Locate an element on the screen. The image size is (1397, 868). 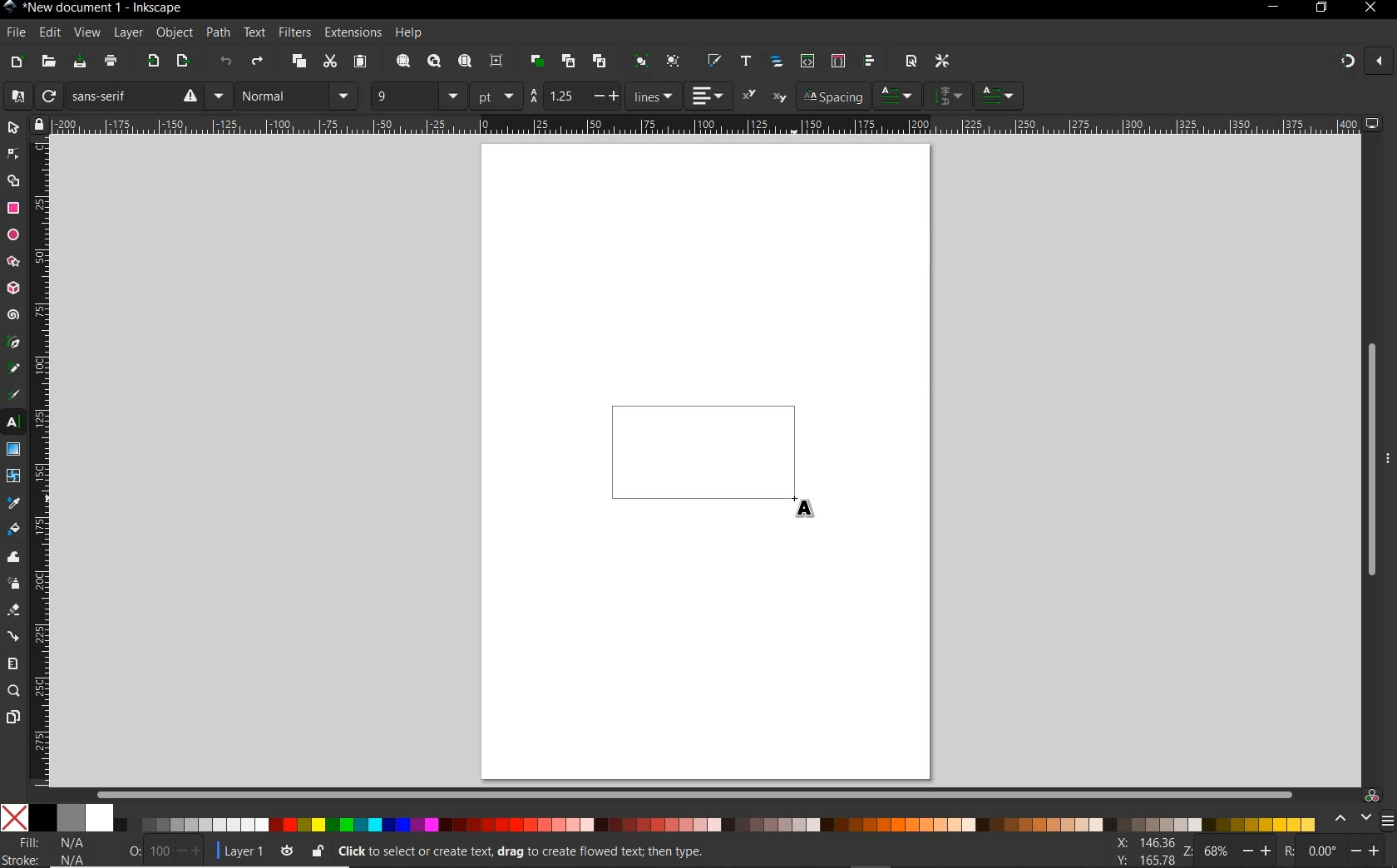
+ is located at coordinates (616, 95).